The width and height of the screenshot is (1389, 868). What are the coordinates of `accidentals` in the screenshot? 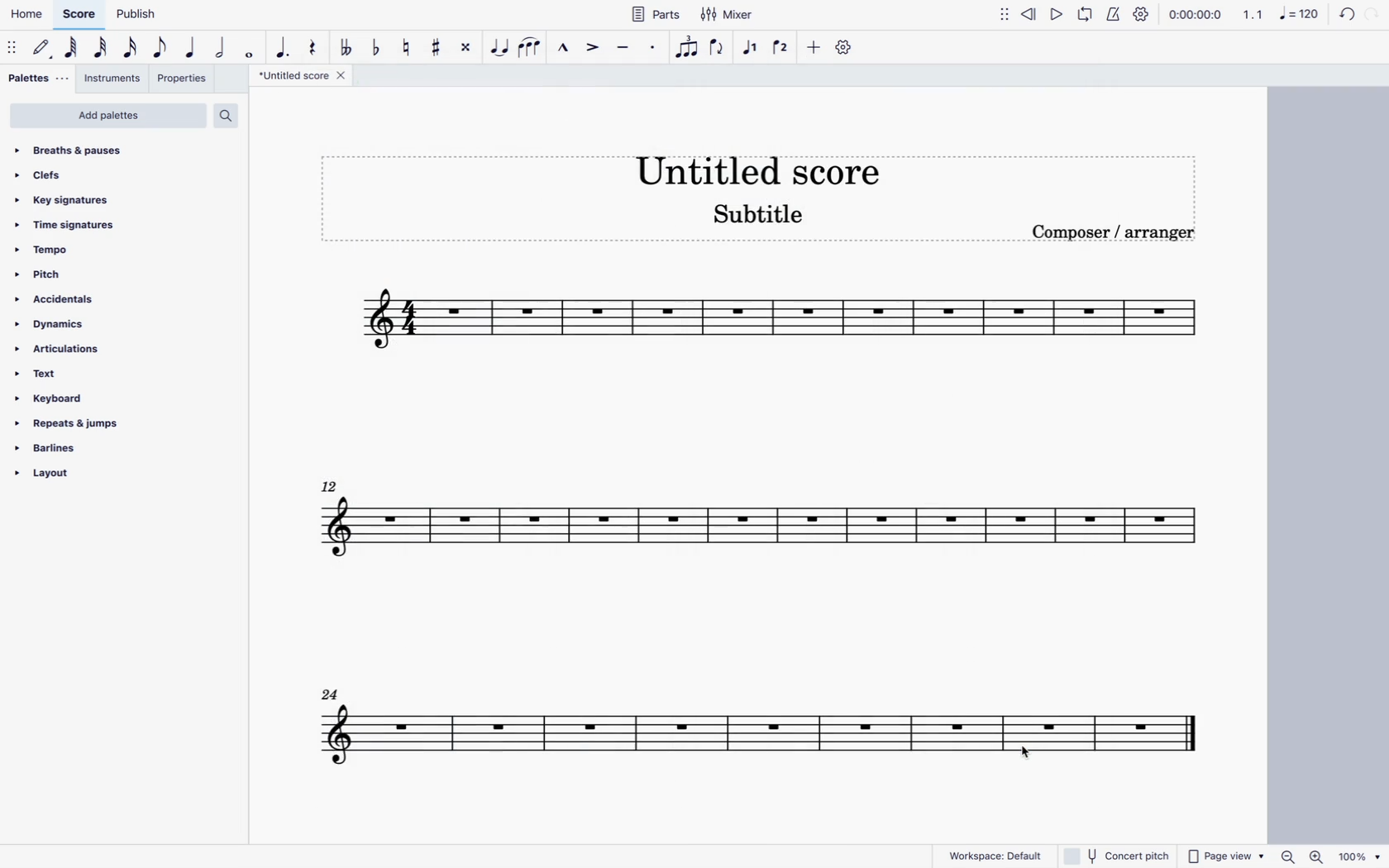 It's located at (66, 301).